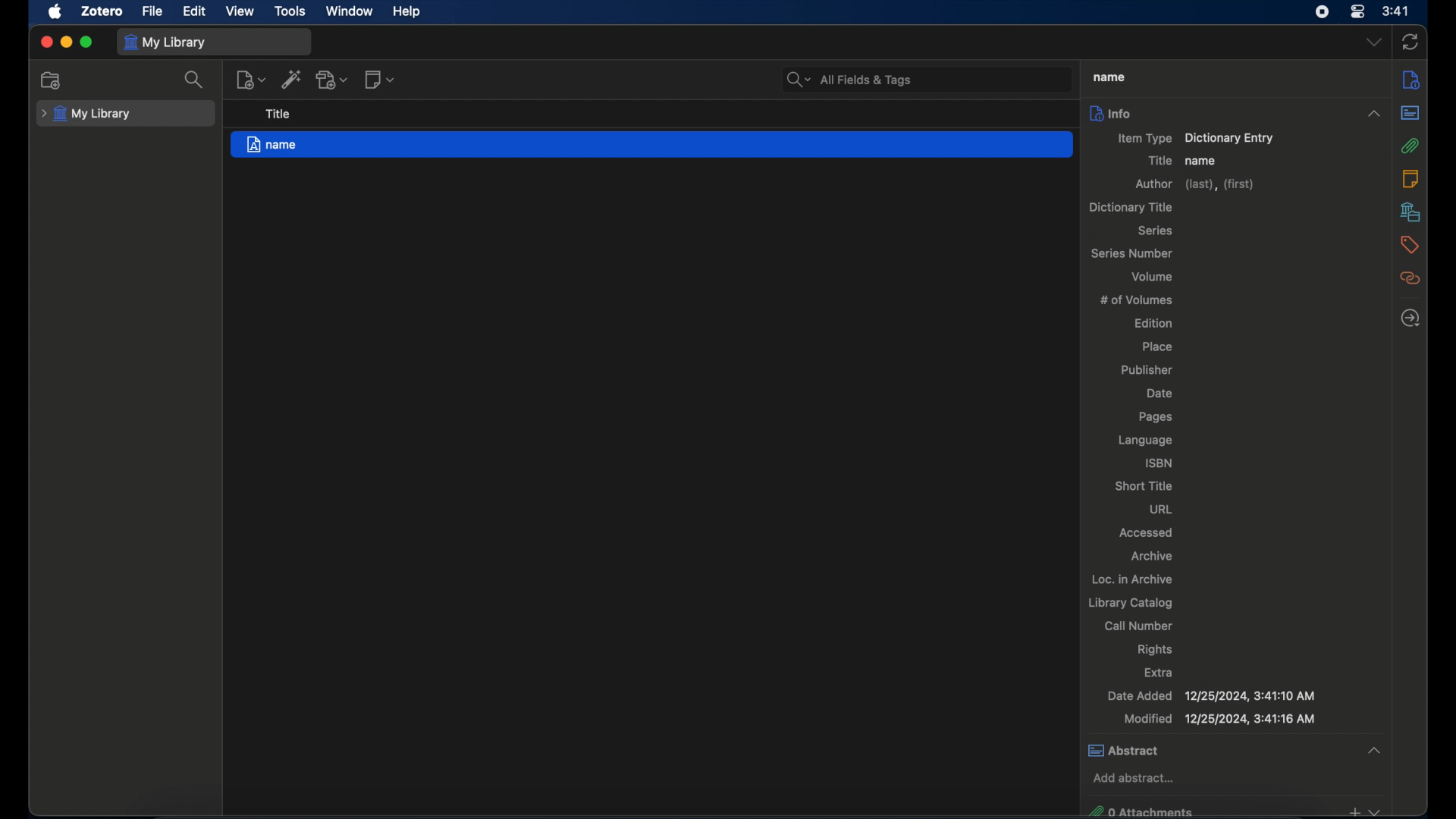 Image resolution: width=1456 pixels, height=819 pixels. I want to click on info, so click(1110, 112).